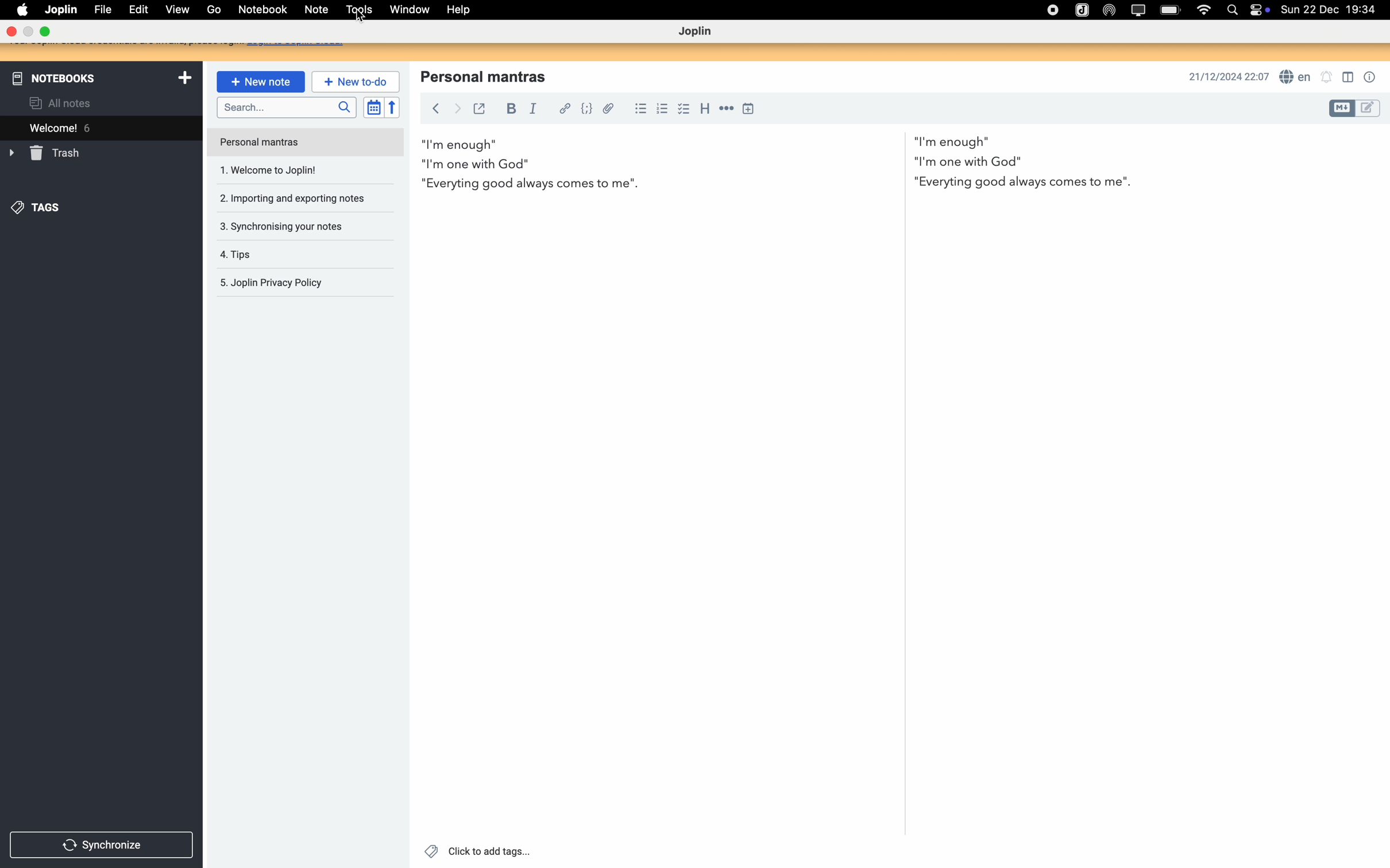 Image resolution: width=1390 pixels, height=868 pixels. Describe the element at coordinates (372, 107) in the screenshot. I see `toggle sort order field` at that location.